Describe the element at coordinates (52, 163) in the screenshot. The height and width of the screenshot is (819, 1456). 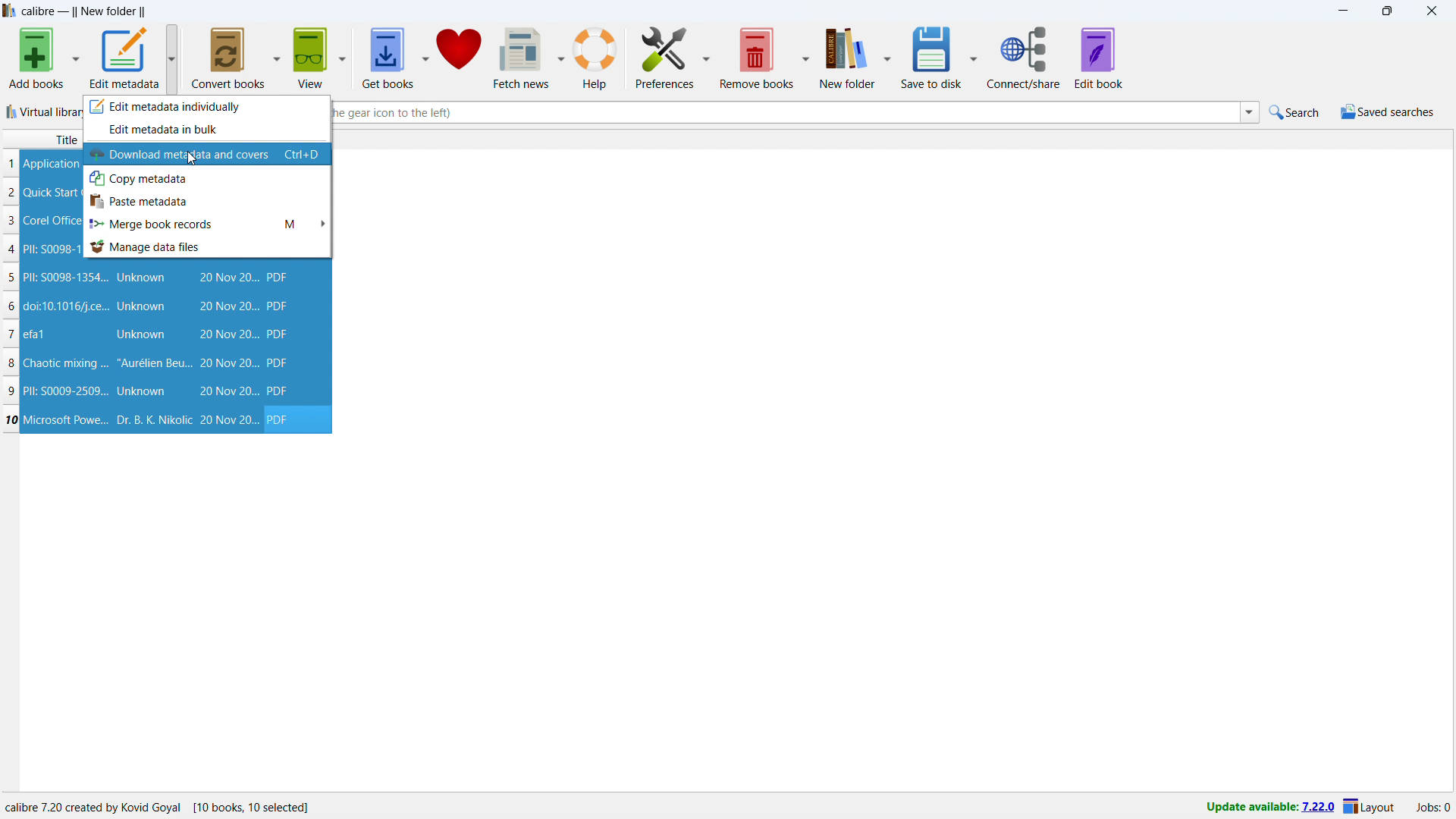
I see `Application of c...` at that location.